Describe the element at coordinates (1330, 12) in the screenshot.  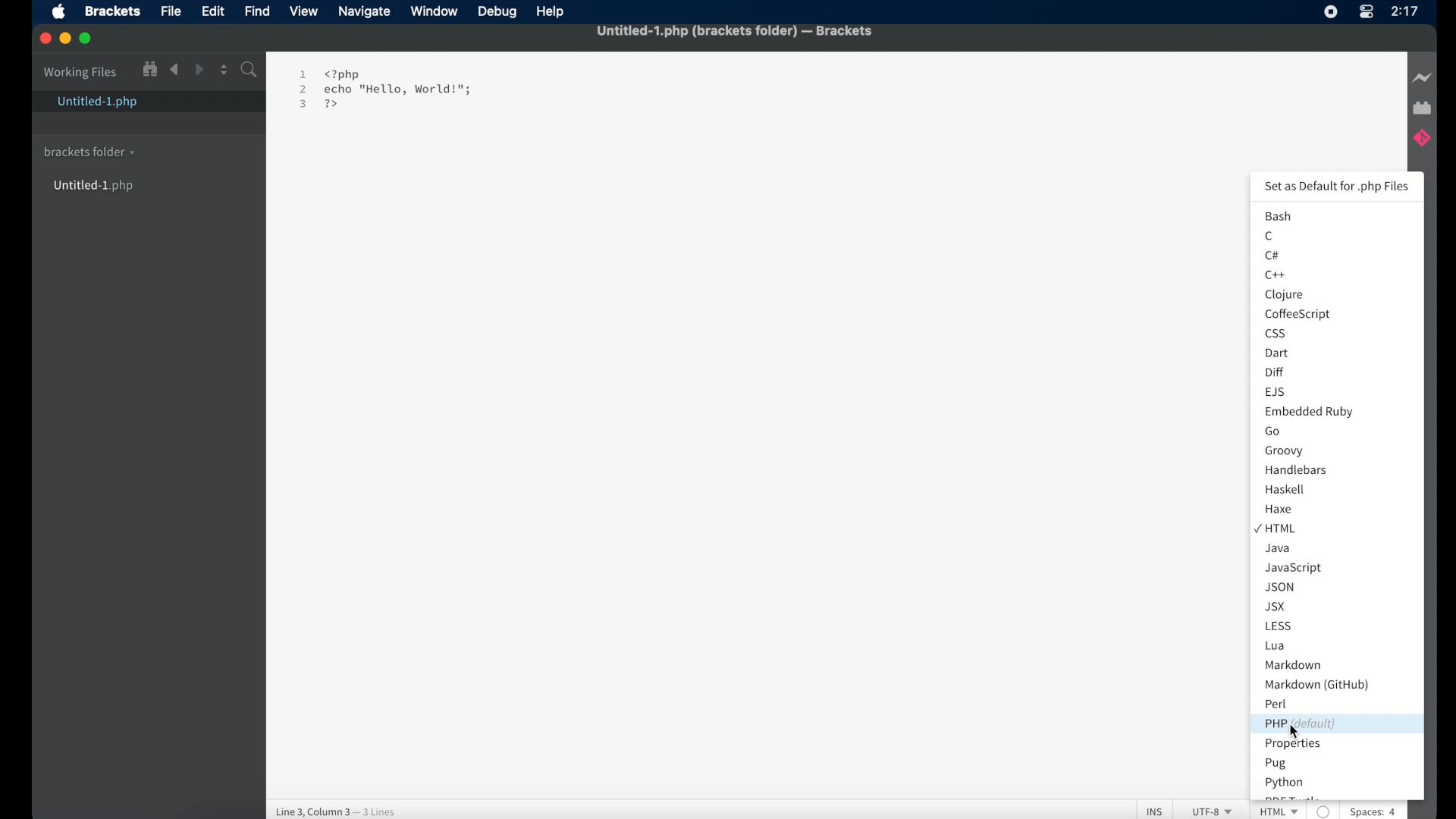
I see `screen recorder` at that location.